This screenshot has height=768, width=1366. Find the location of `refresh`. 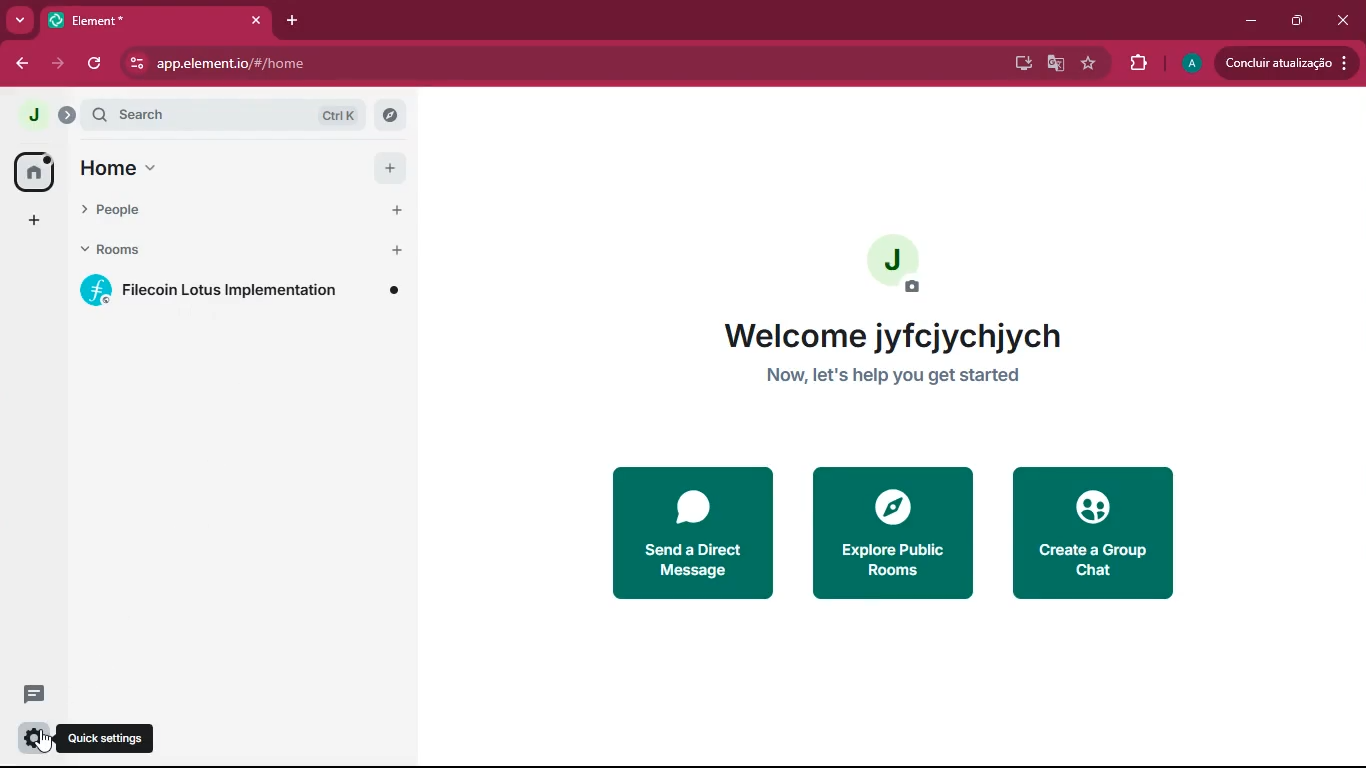

refresh is located at coordinates (96, 63).